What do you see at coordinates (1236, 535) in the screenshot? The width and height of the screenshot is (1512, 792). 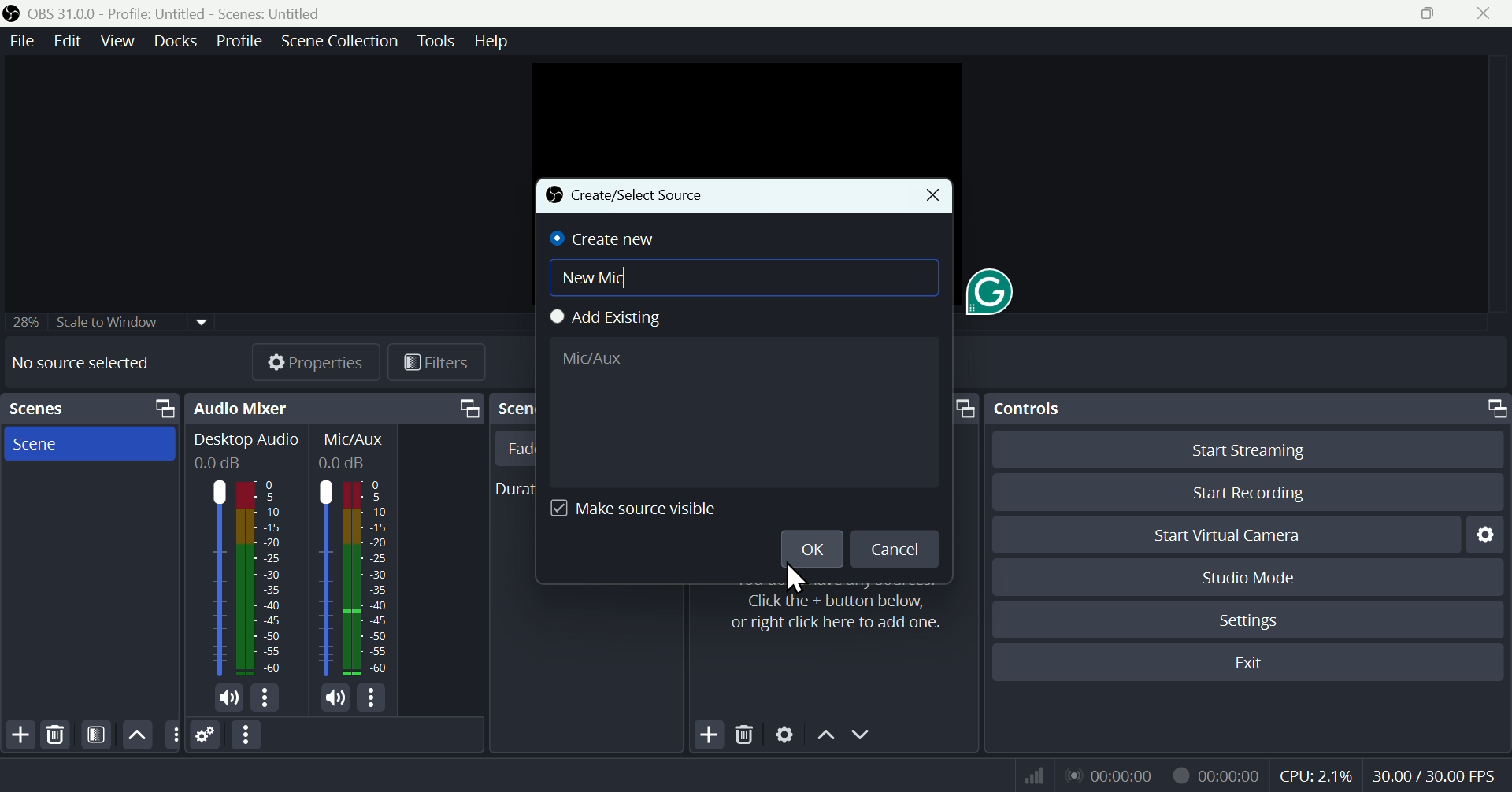 I see `start Virtual camera` at bounding box center [1236, 535].